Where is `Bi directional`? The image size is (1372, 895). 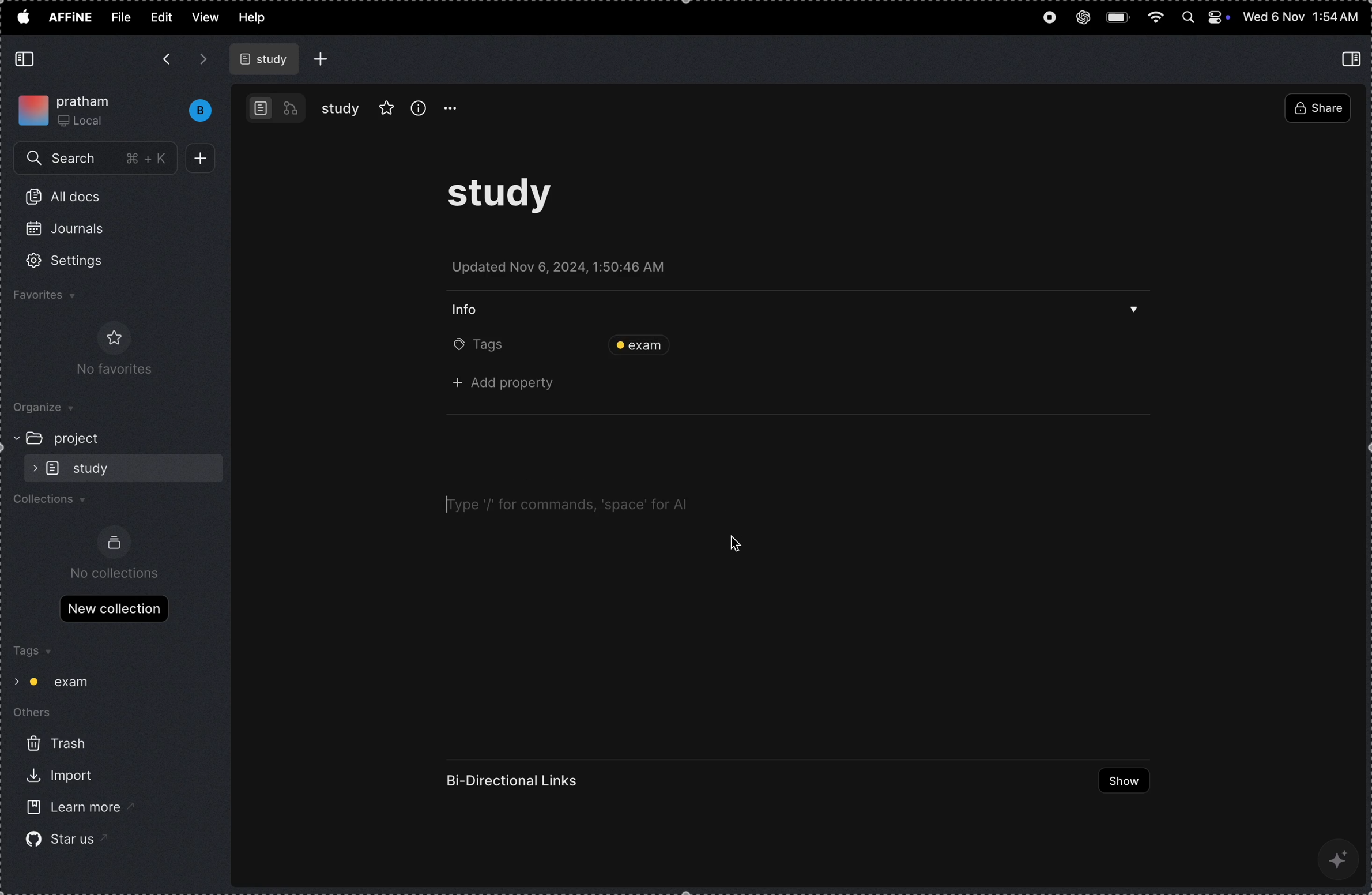 Bi directional is located at coordinates (515, 781).